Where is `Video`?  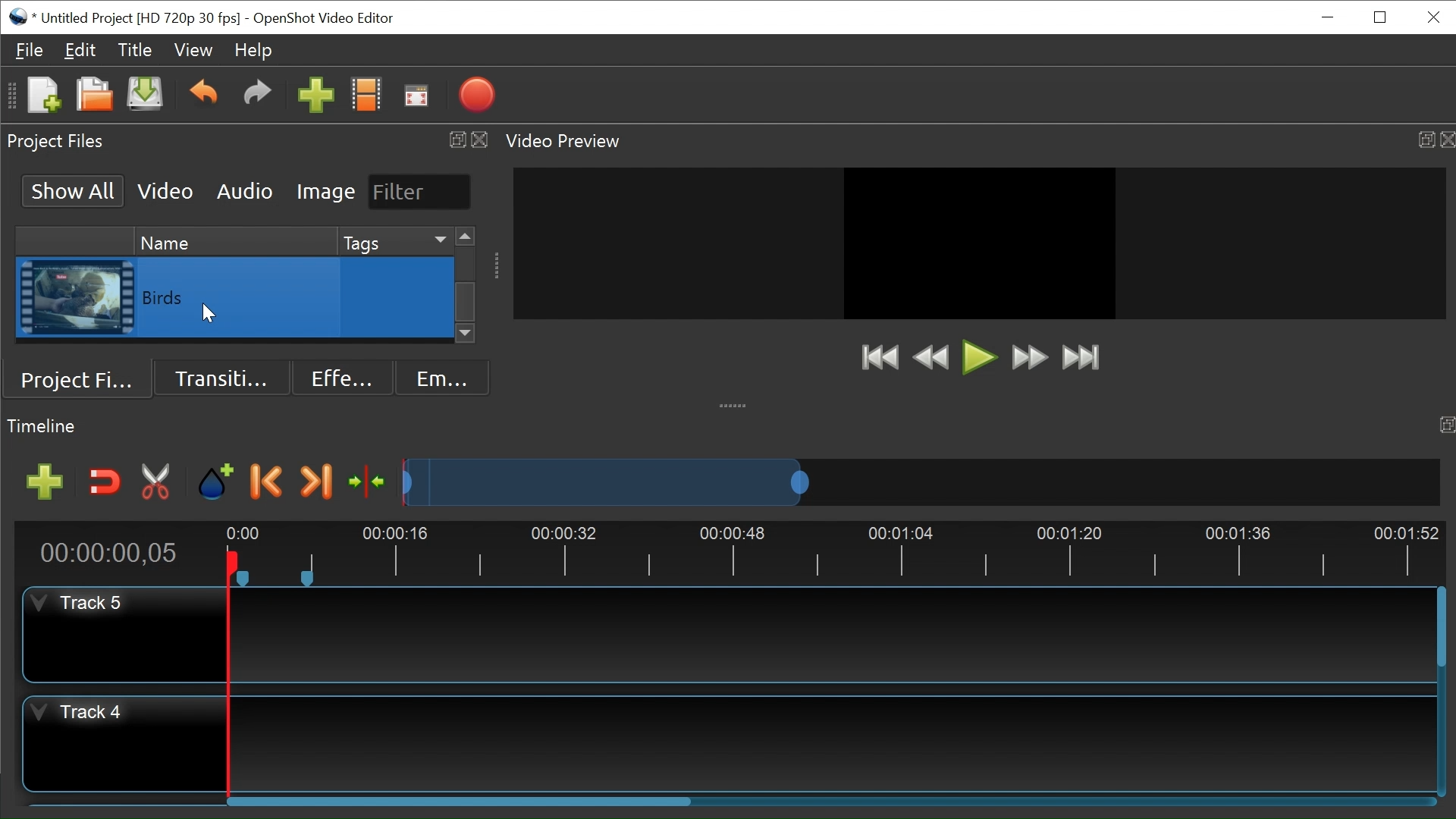 Video is located at coordinates (166, 190).